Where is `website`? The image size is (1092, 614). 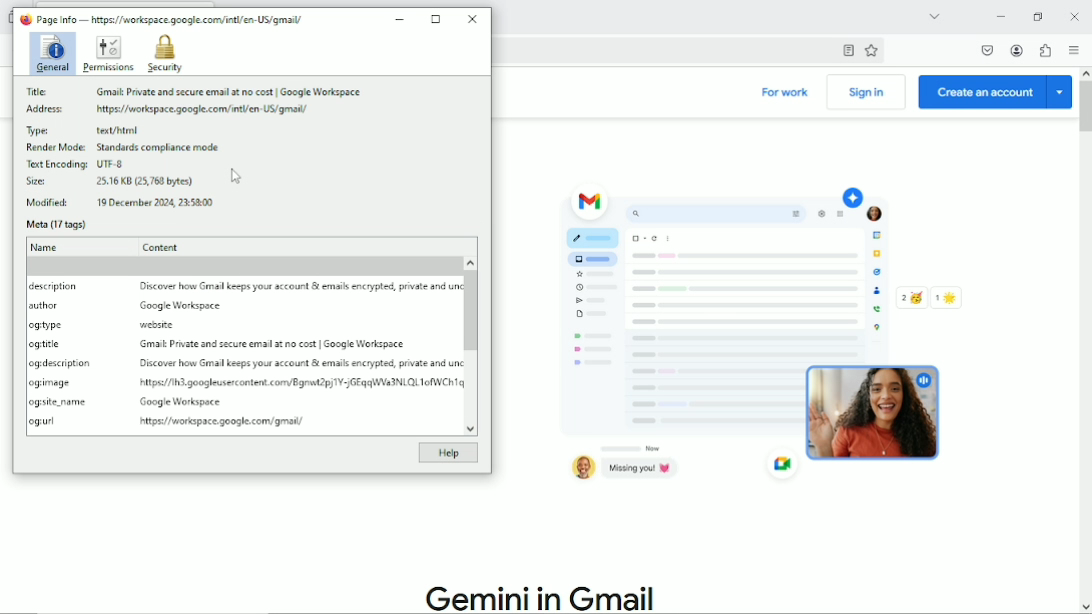 website is located at coordinates (159, 325).